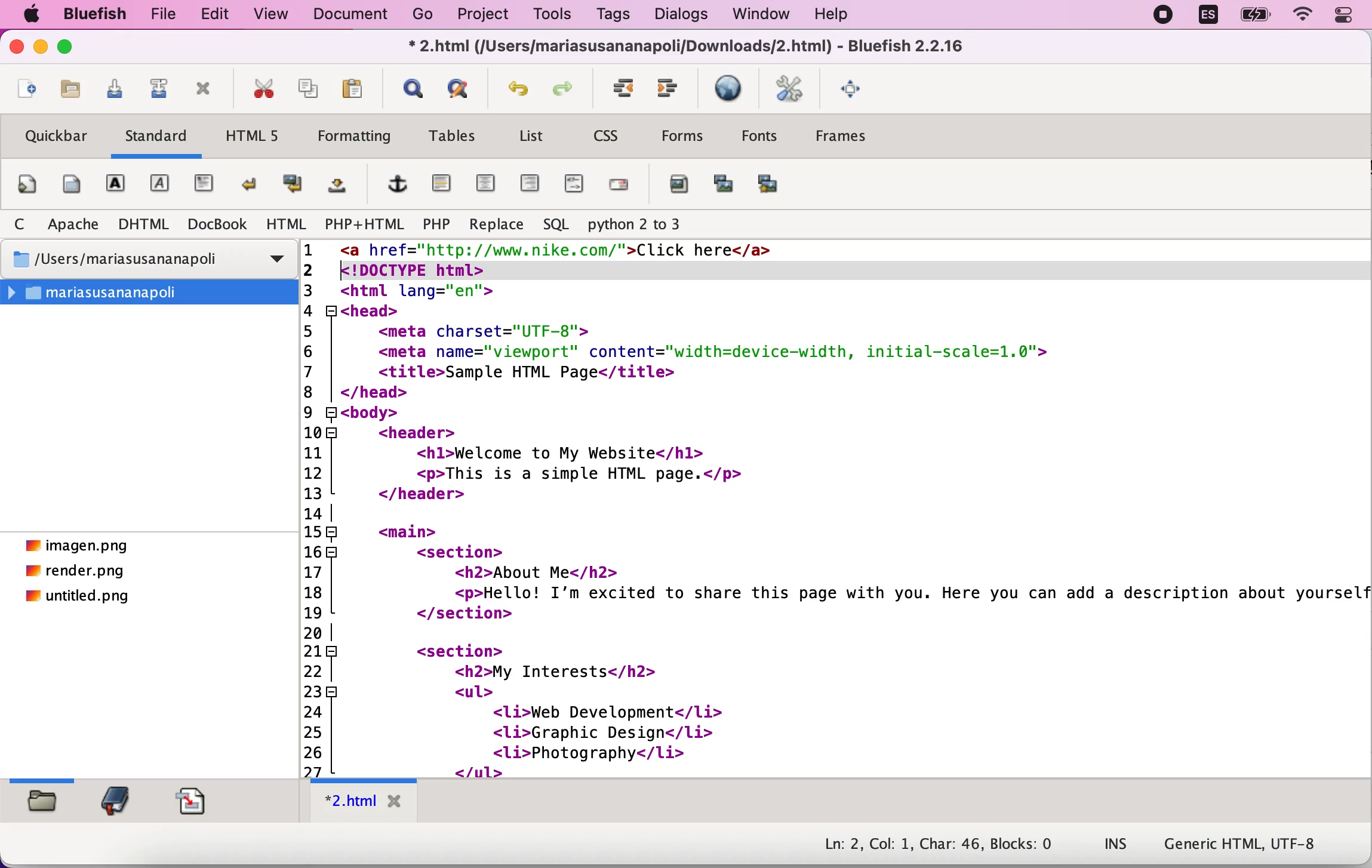 The height and width of the screenshot is (868, 1372). Describe the element at coordinates (690, 48) in the screenshot. I see `* 2.html (/Users/mariasusananapoli/Downloads/2.html) - Bluefish 2.2.16` at that location.